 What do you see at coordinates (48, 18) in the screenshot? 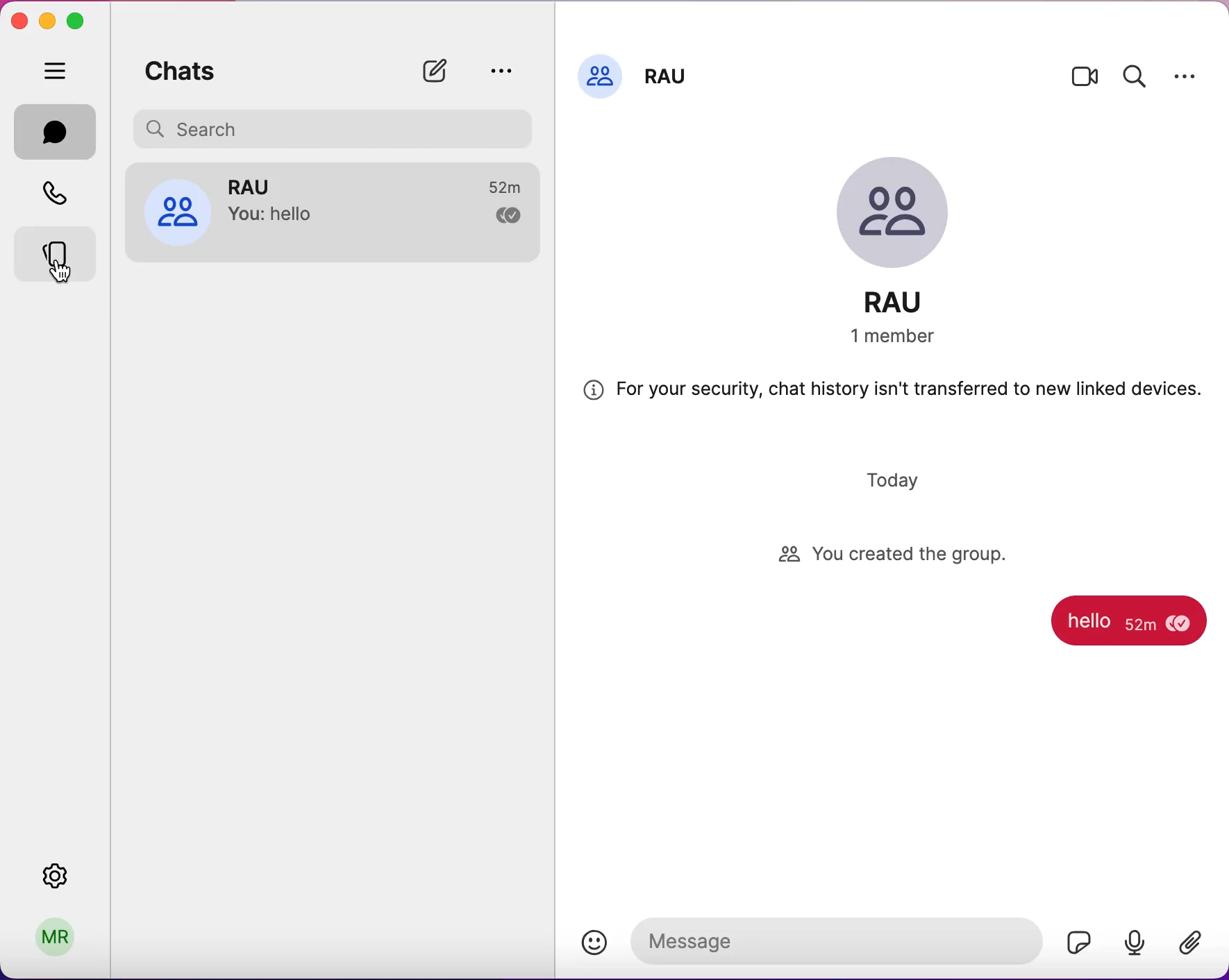
I see `minimize` at bounding box center [48, 18].